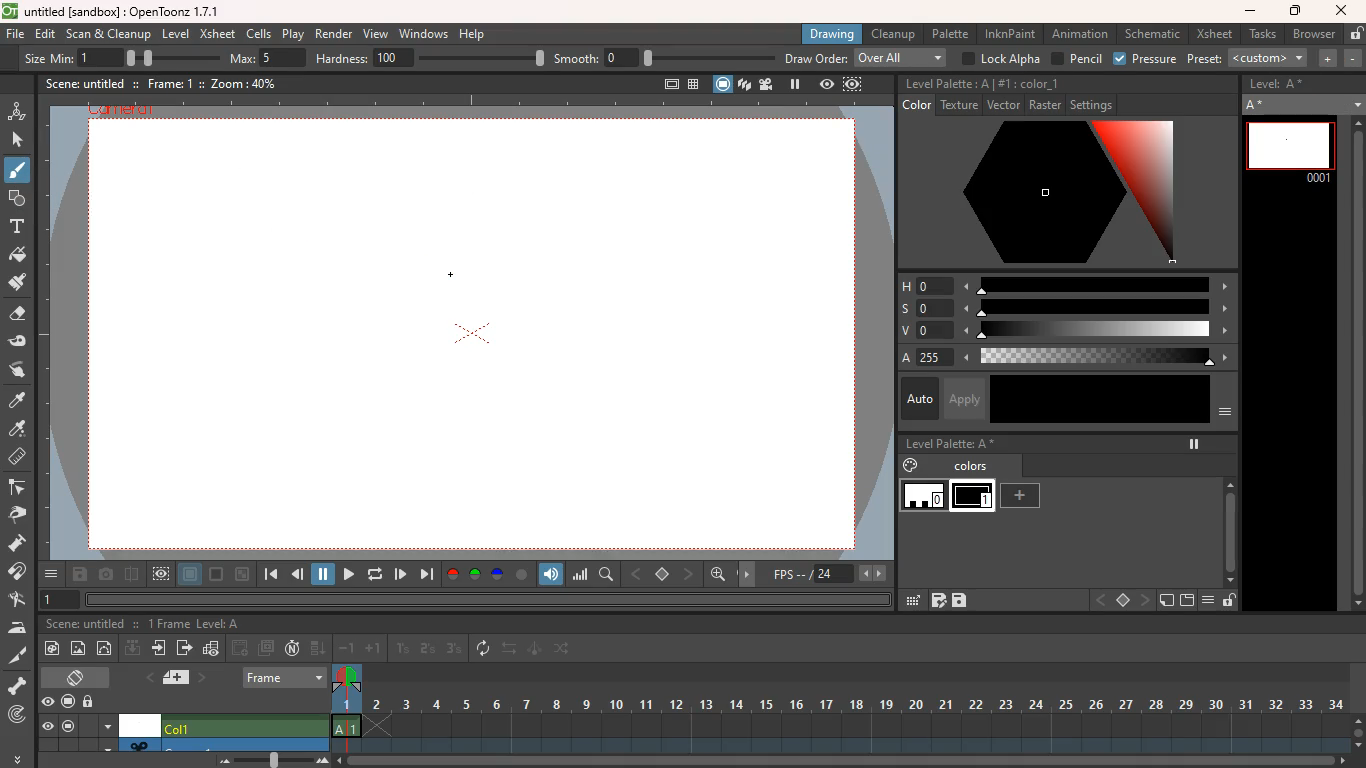 The height and width of the screenshot is (768, 1366). What do you see at coordinates (1225, 523) in the screenshot?
I see `scroll` at bounding box center [1225, 523].